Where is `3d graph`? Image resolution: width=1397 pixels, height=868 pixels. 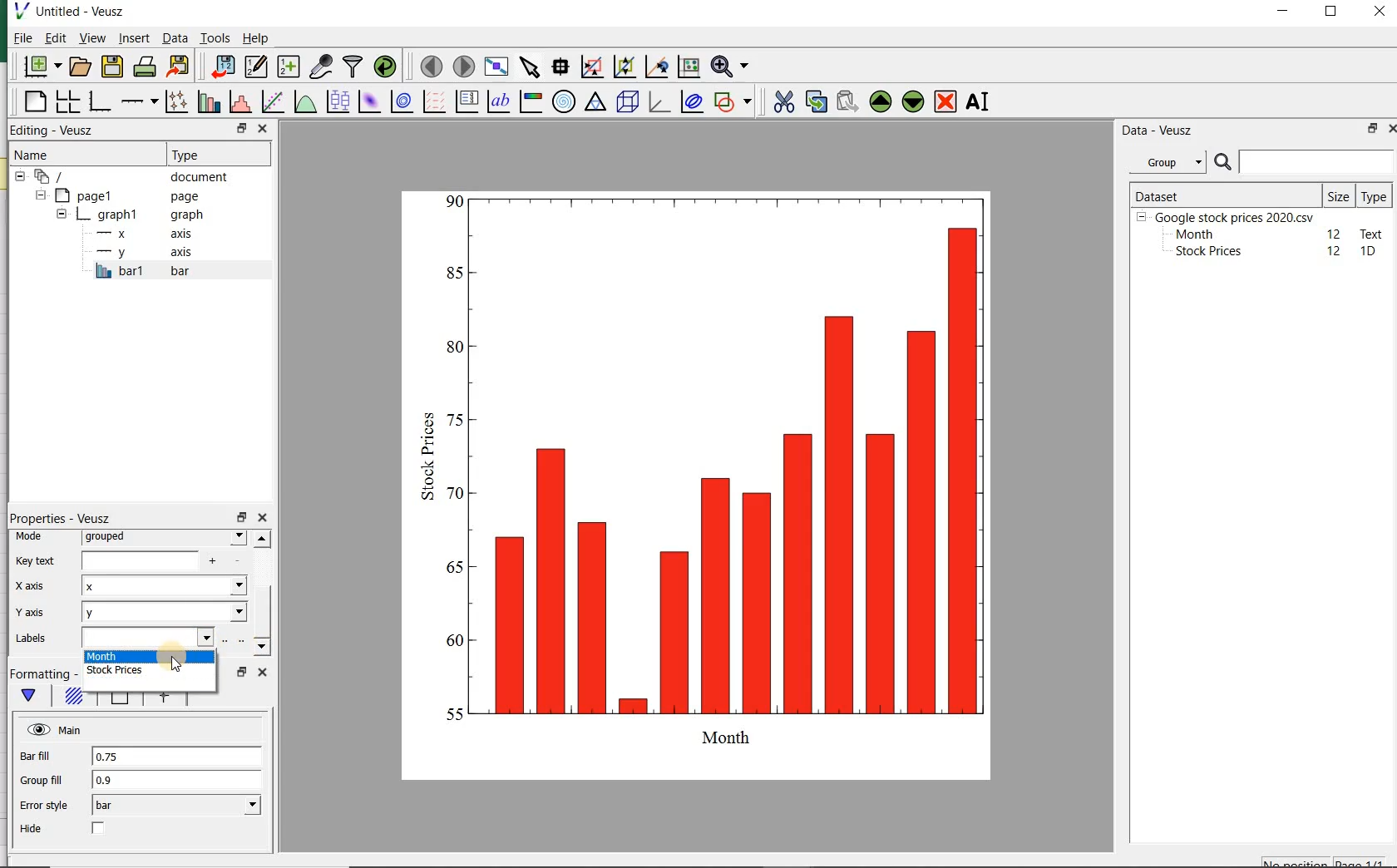
3d graph is located at coordinates (659, 103).